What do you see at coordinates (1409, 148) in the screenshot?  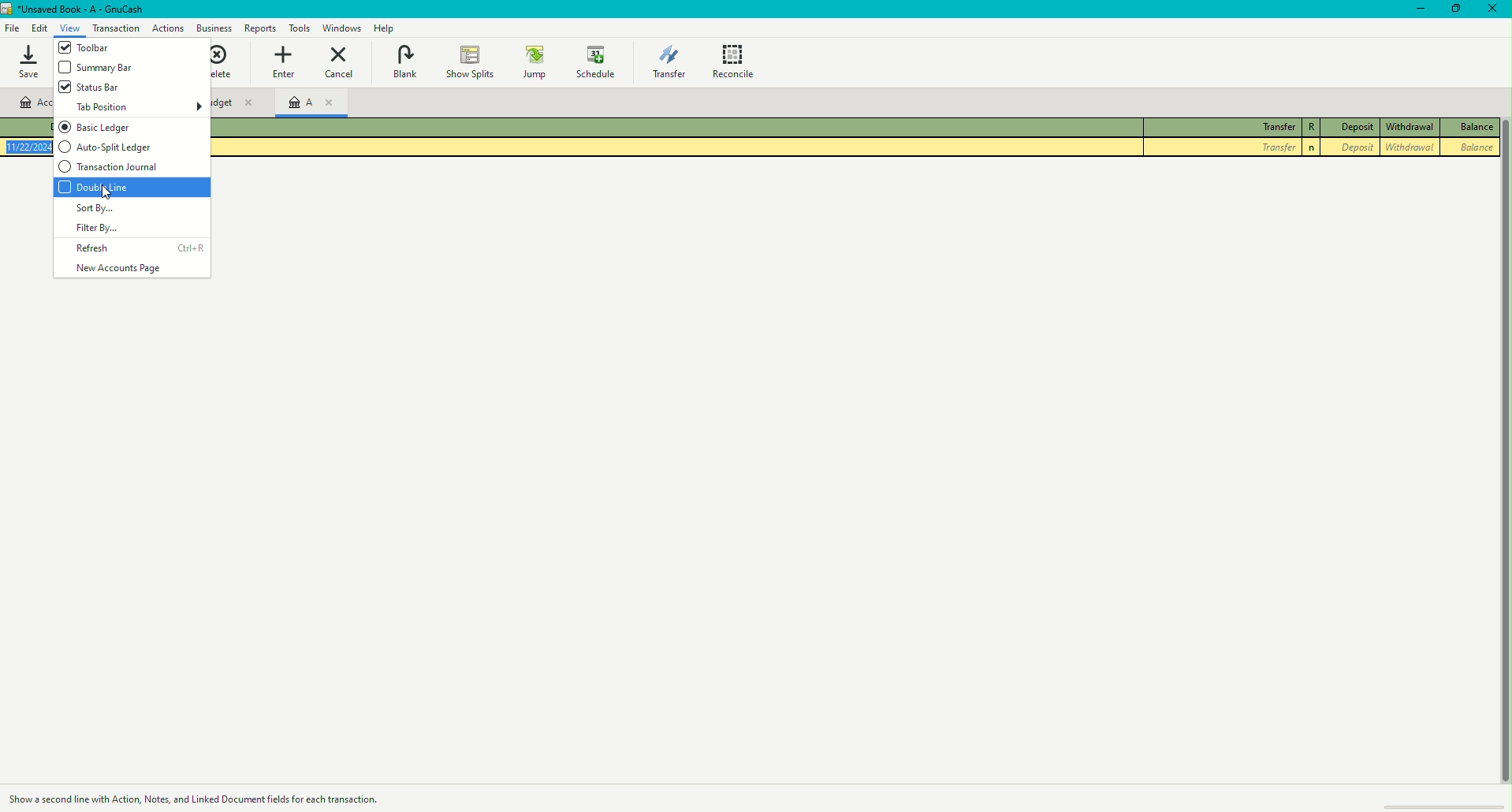 I see `Withdrawal` at bounding box center [1409, 148].